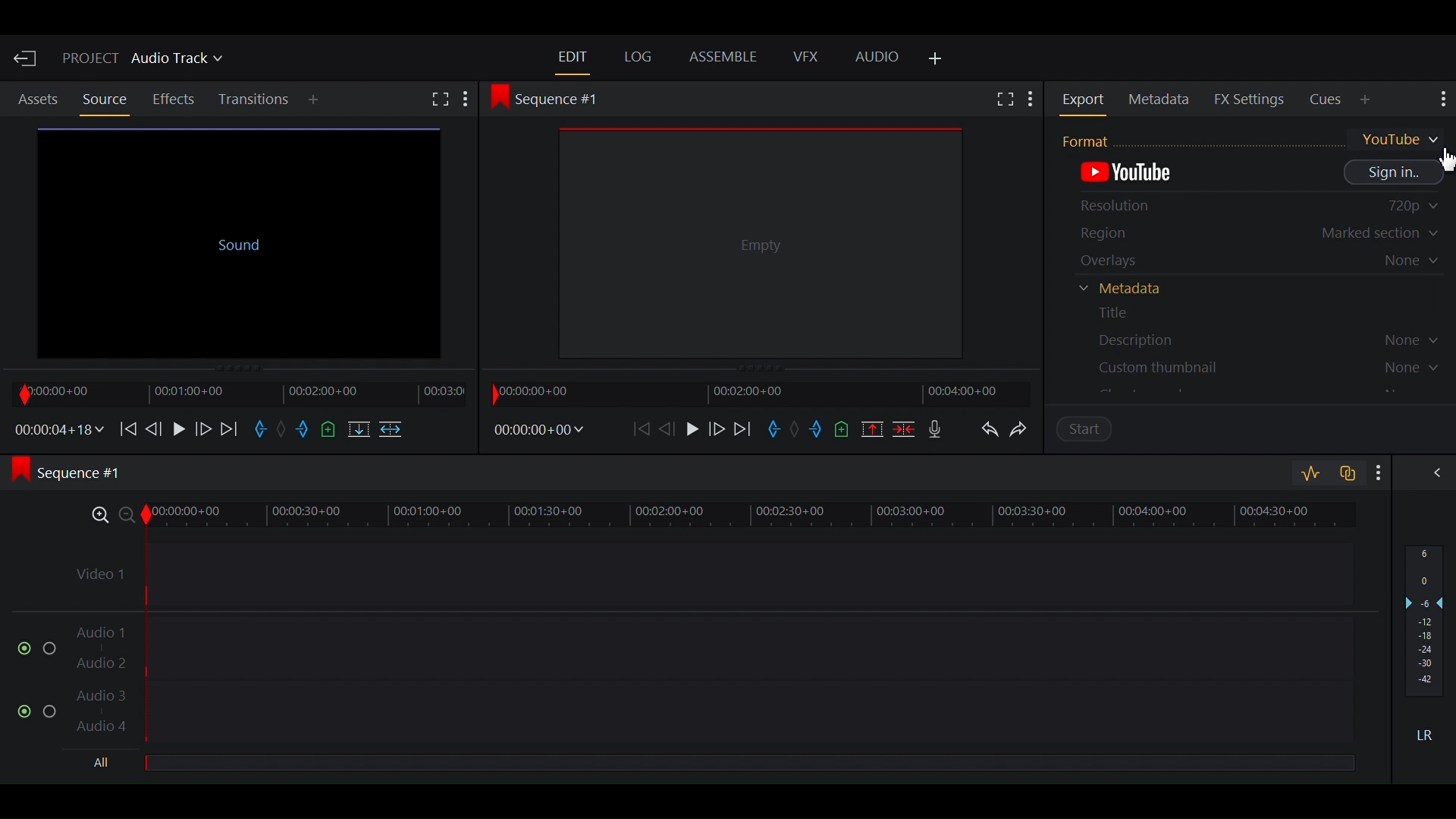 The height and width of the screenshot is (819, 1456). What do you see at coordinates (30, 647) in the screenshot?
I see `Enable/Disable` at bounding box center [30, 647].